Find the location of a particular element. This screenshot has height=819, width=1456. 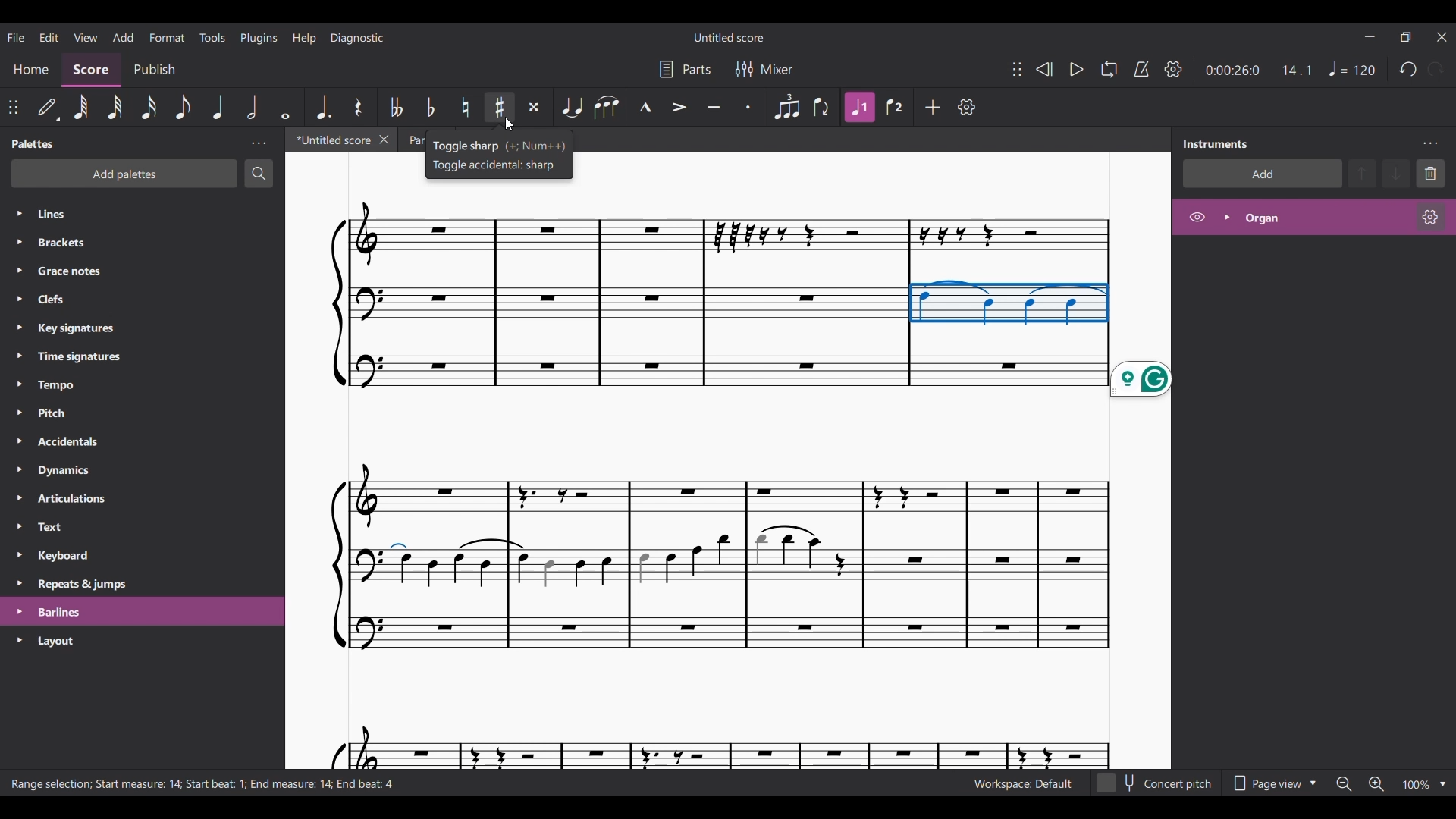

Staccato  is located at coordinates (749, 108).